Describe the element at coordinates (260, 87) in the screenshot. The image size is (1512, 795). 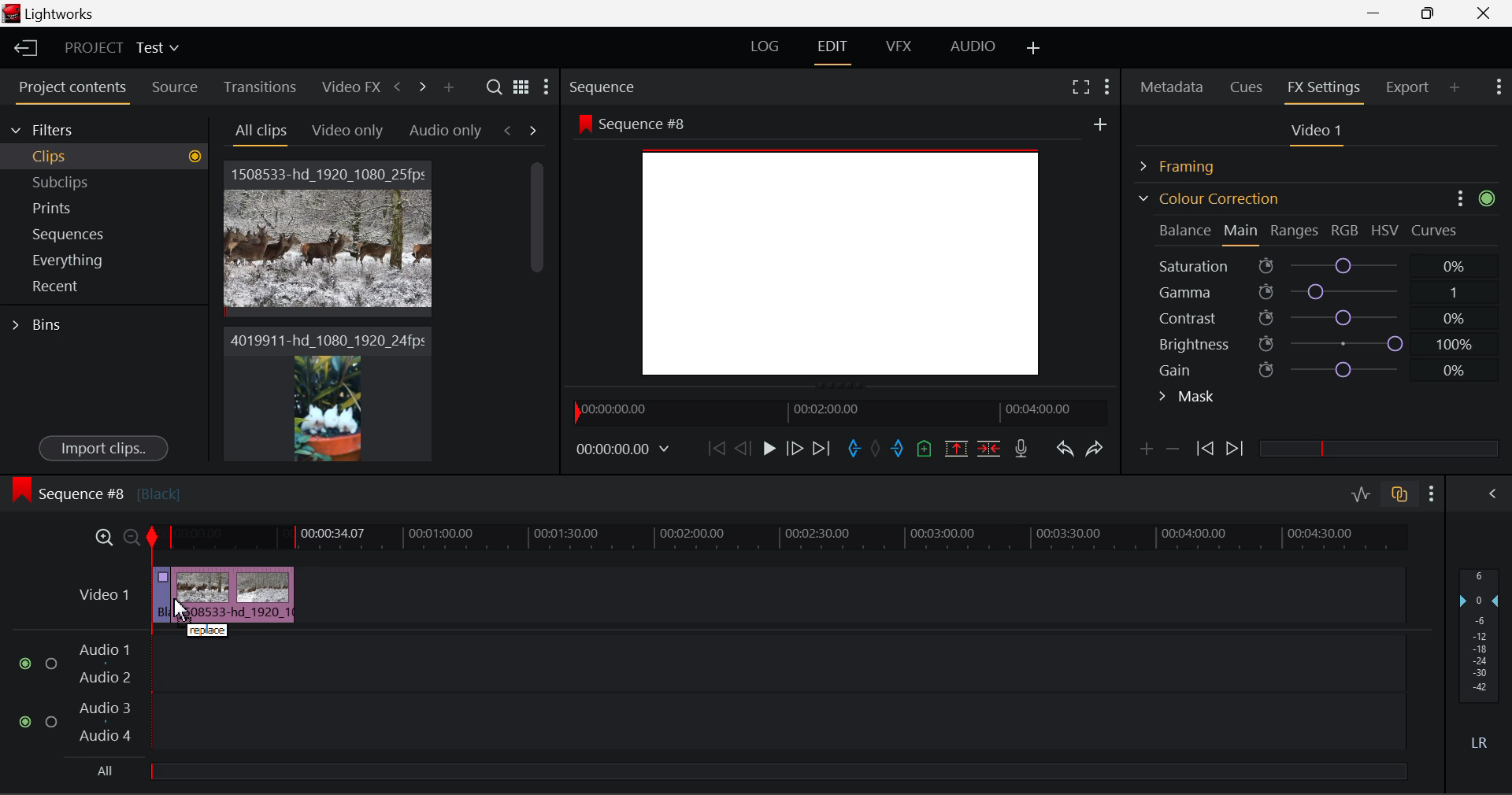
I see `Transitions` at that location.